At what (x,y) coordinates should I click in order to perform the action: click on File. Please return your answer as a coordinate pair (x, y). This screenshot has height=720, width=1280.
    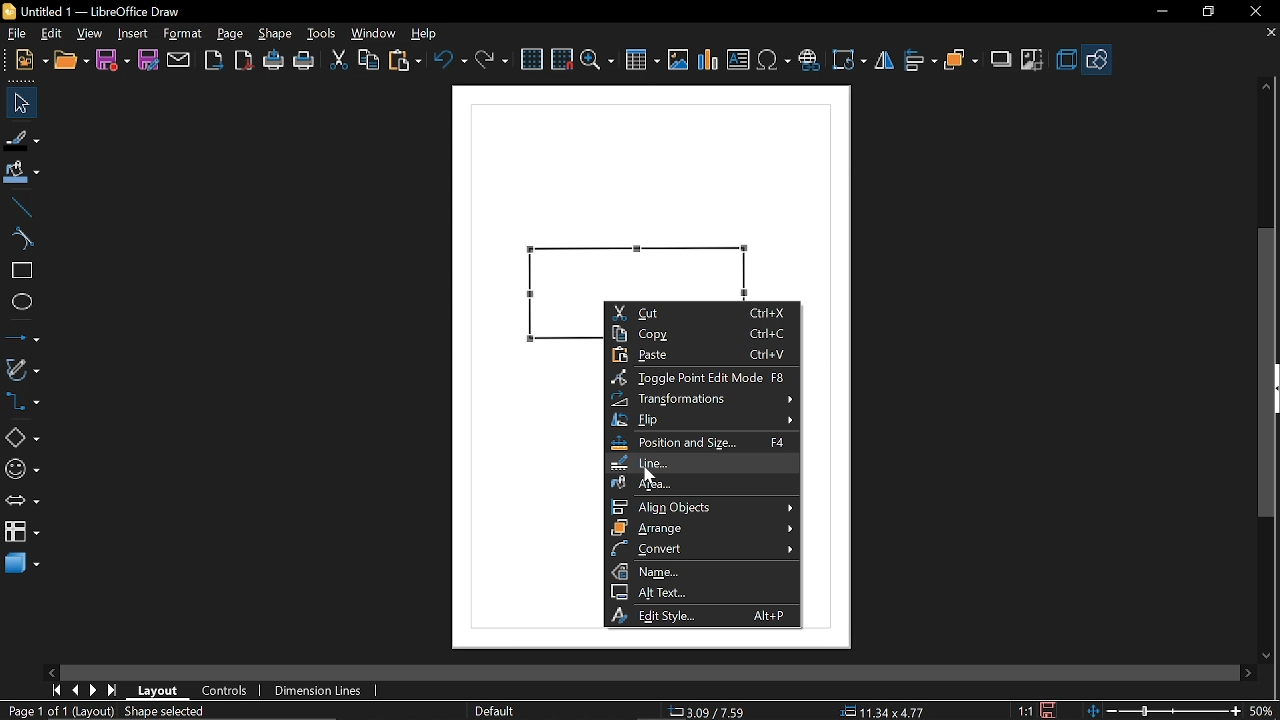
    Looking at the image, I should click on (19, 32).